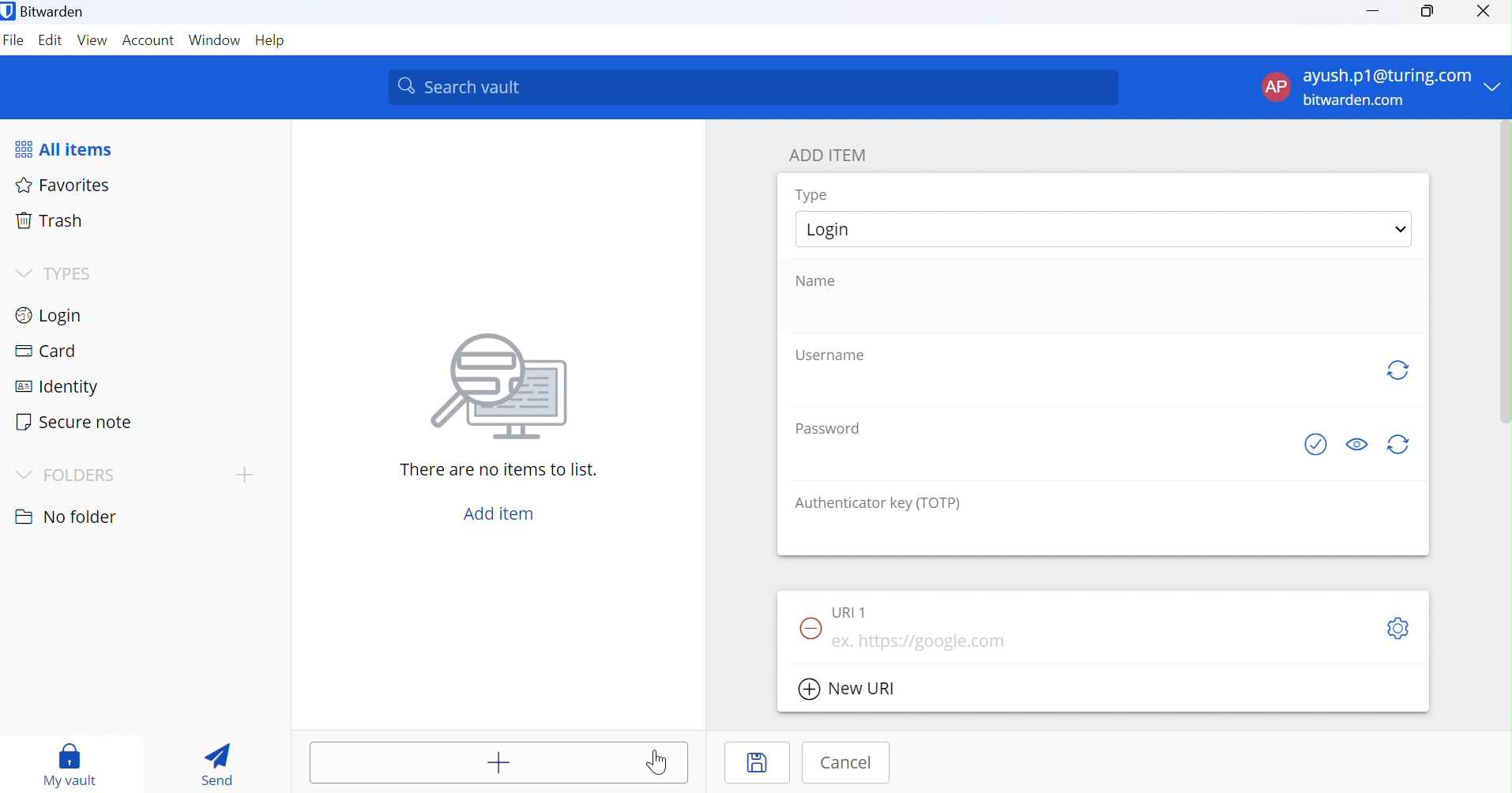 This screenshot has width=1512, height=793. What do you see at coordinates (500, 470) in the screenshot?
I see `There are no items to list.` at bounding box center [500, 470].